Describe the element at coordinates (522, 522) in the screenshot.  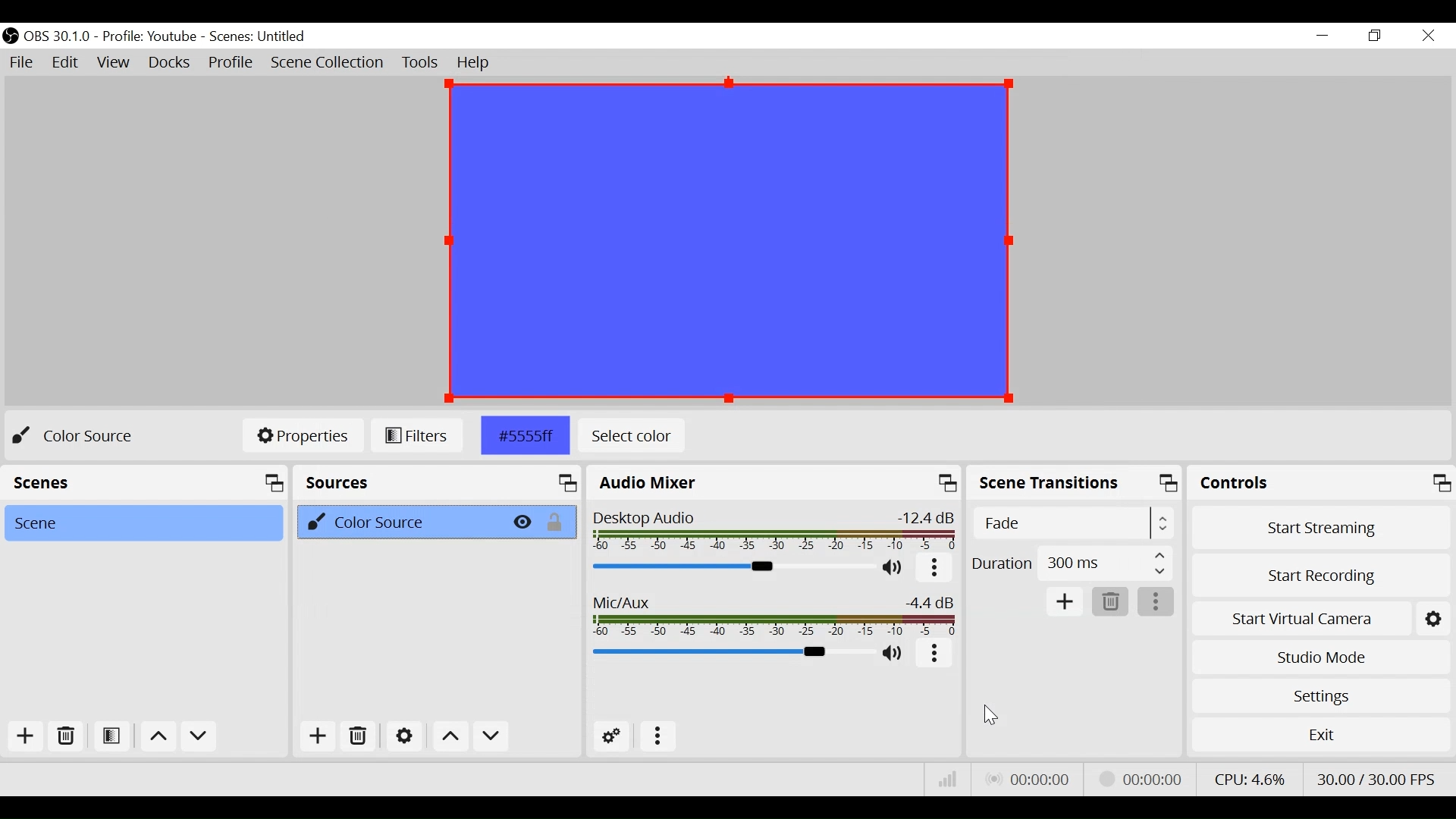
I see `Hide/Display` at that location.